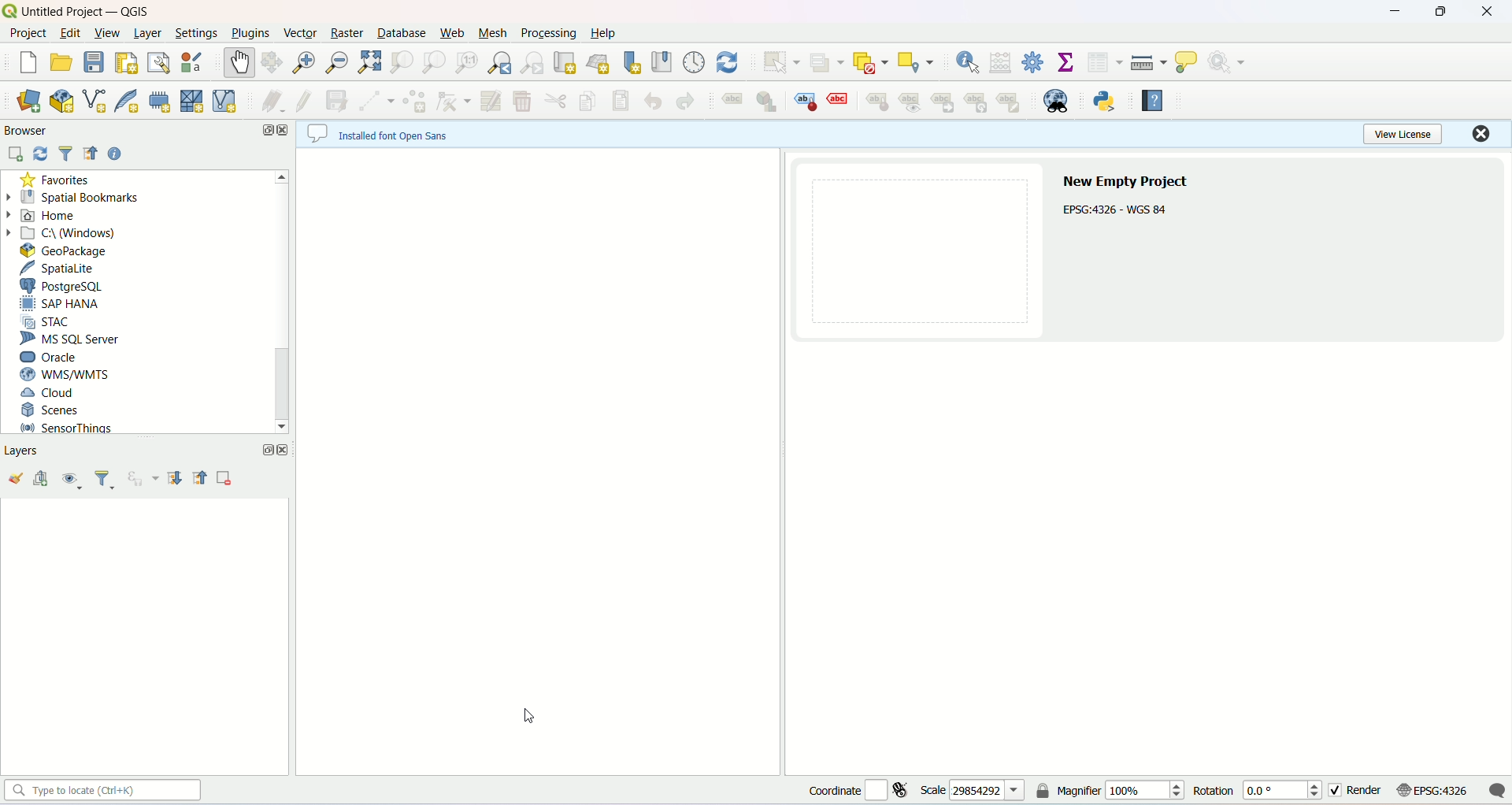 This screenshot has width=1512, height=805. I want to click on message, so click(1496, 792).